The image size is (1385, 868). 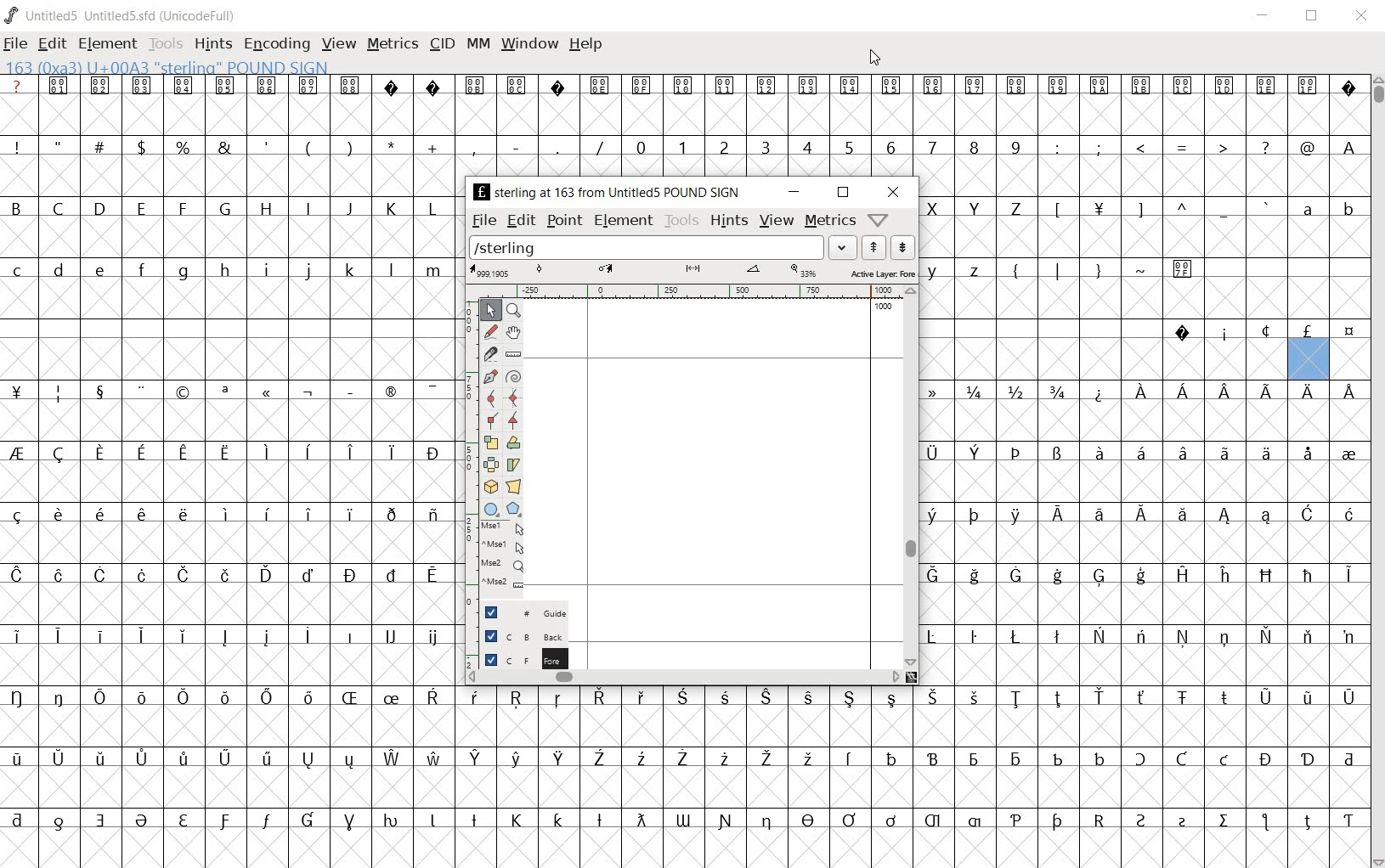 What do you see at coordinates (597, 148) in the screenshot?
I see `/` at bounding box center [597, 148].